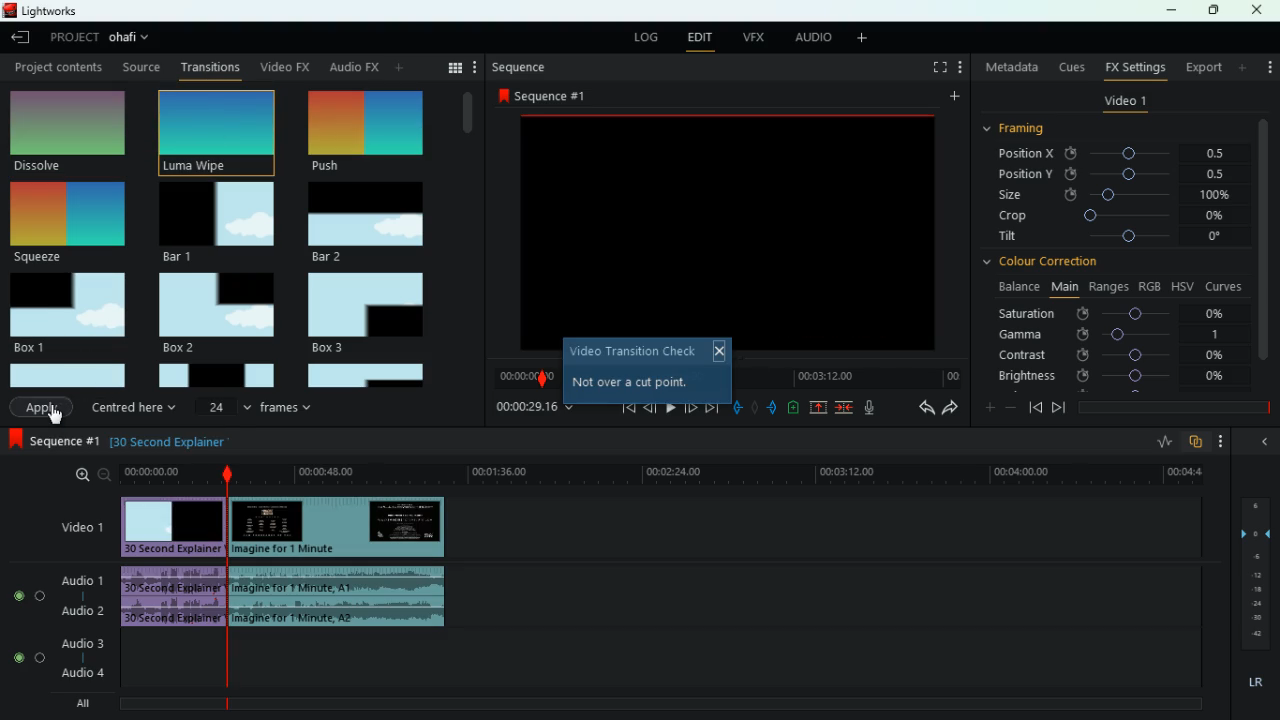 Image resolution: width=1280 pixels, height=720 pixels. I want to click on crop, so click(1114, 217).